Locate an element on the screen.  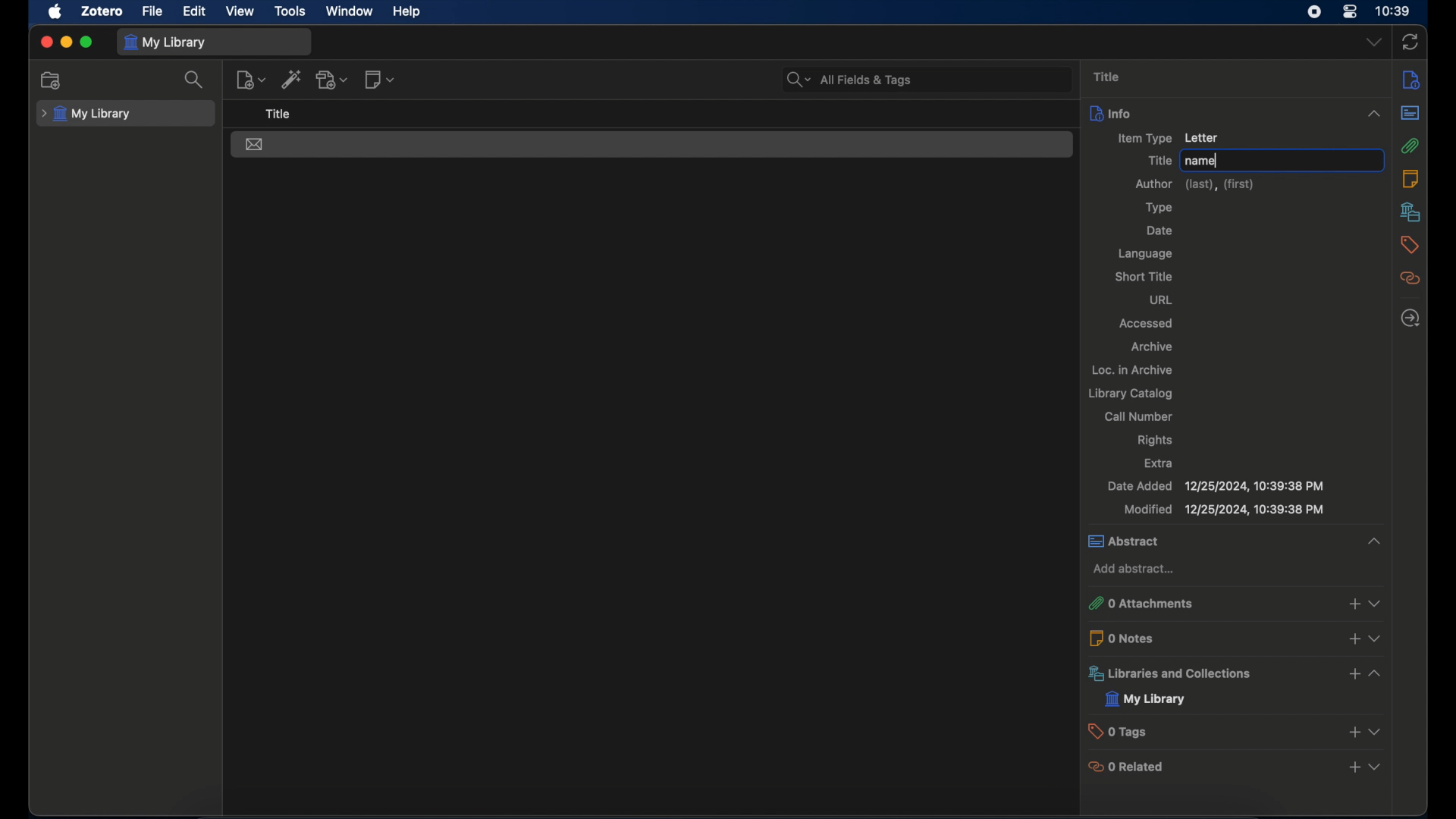
0 related is located at coordinates (1127, 767).